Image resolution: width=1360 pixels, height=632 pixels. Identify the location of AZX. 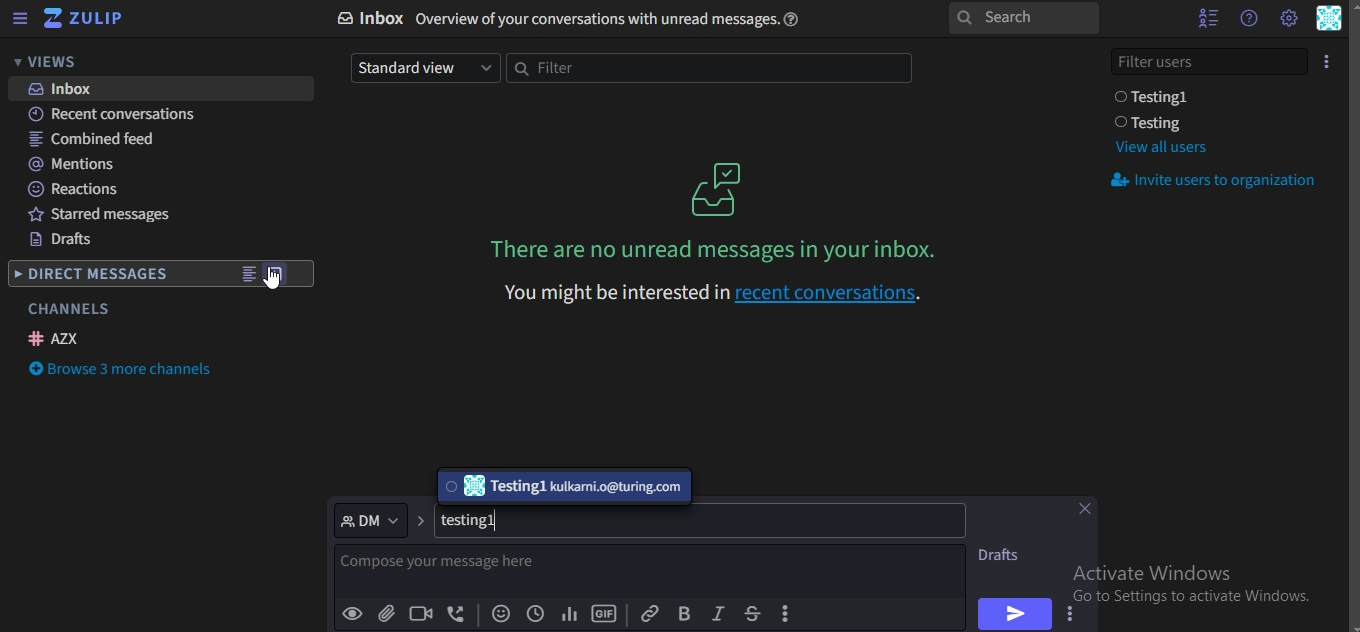
(57, 338).